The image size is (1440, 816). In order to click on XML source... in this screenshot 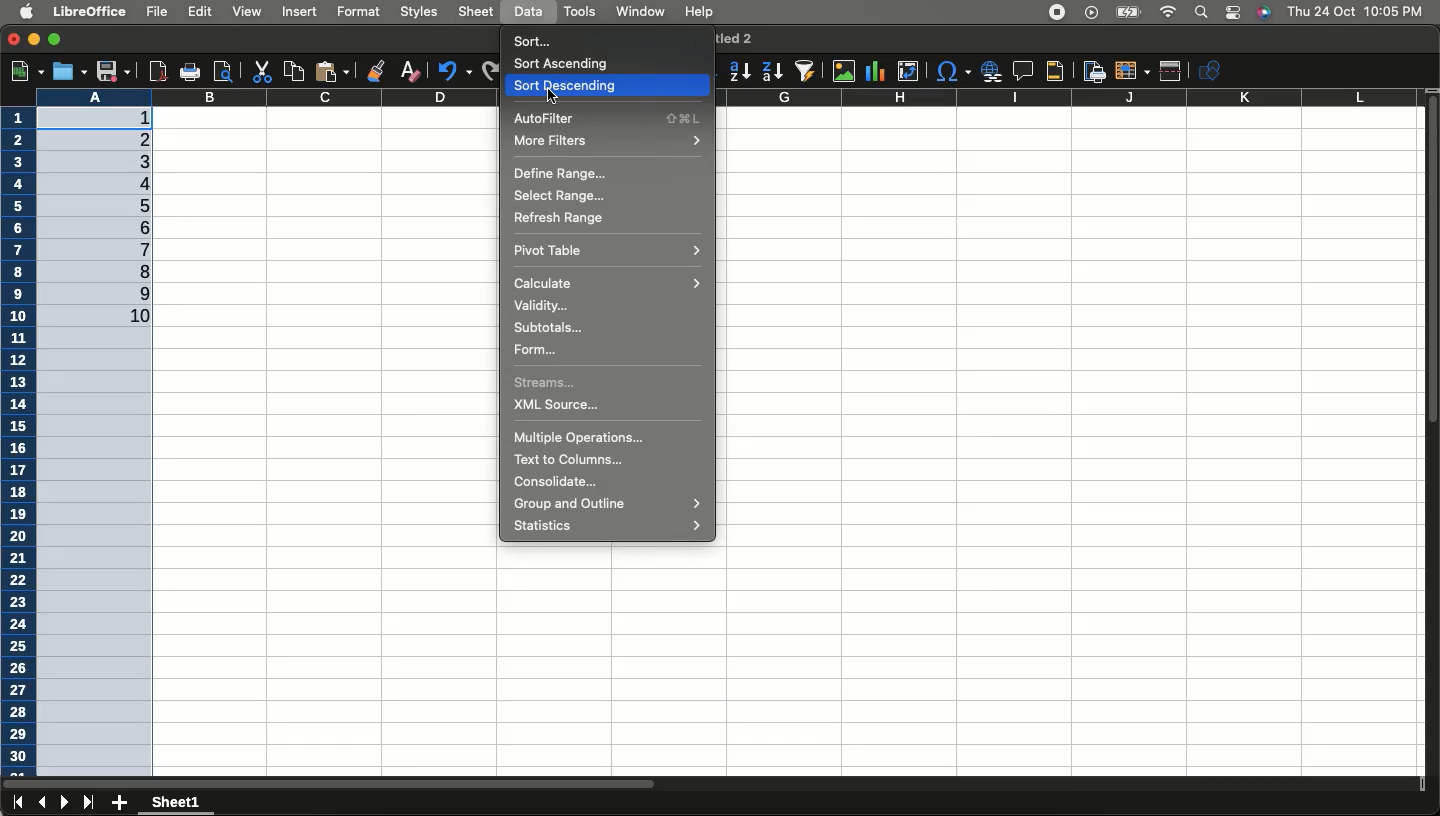, I will do `click(562, 406)`.